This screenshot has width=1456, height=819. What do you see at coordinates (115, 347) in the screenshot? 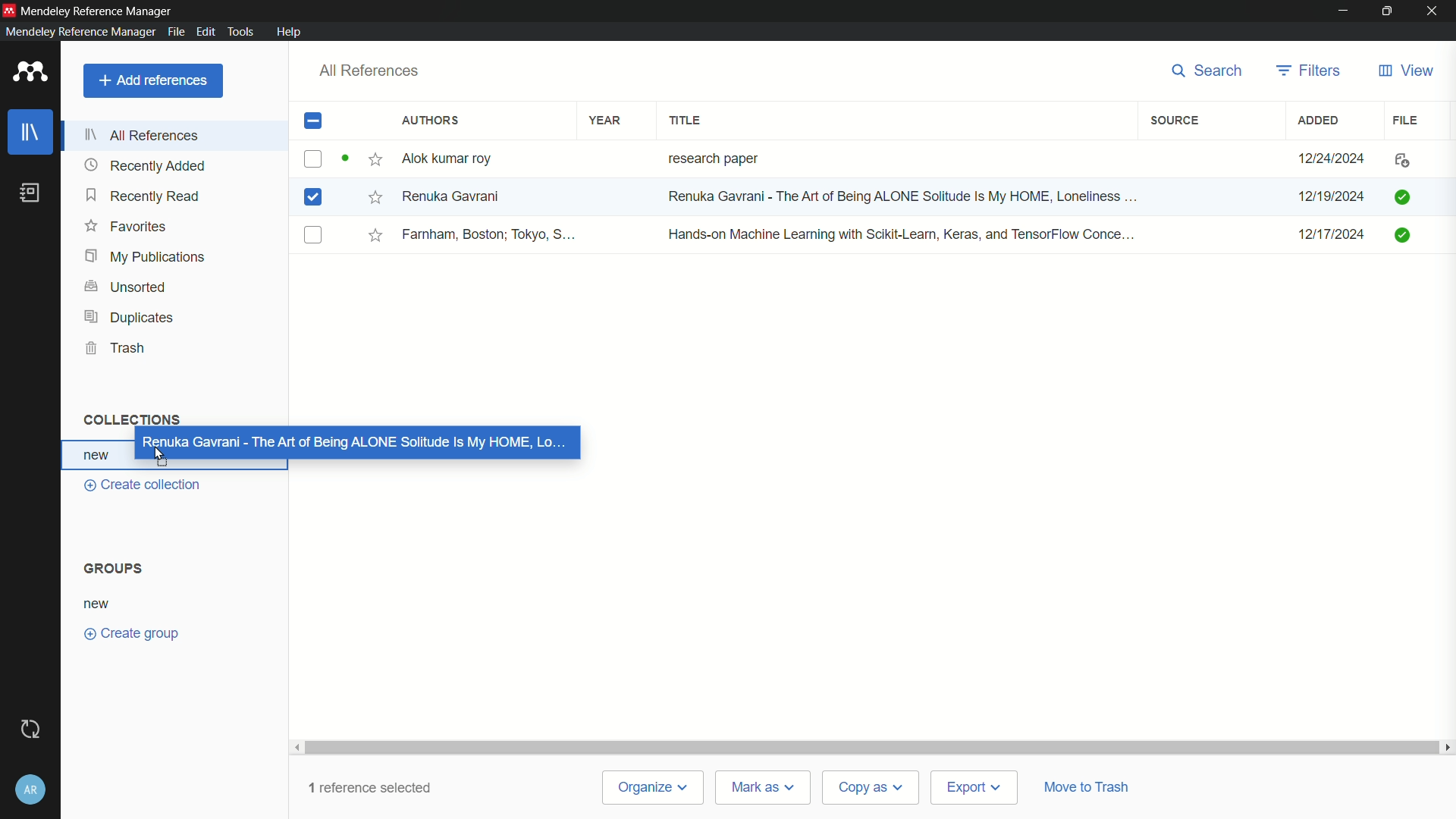
I see `trash` at bounding box center [115, 347].